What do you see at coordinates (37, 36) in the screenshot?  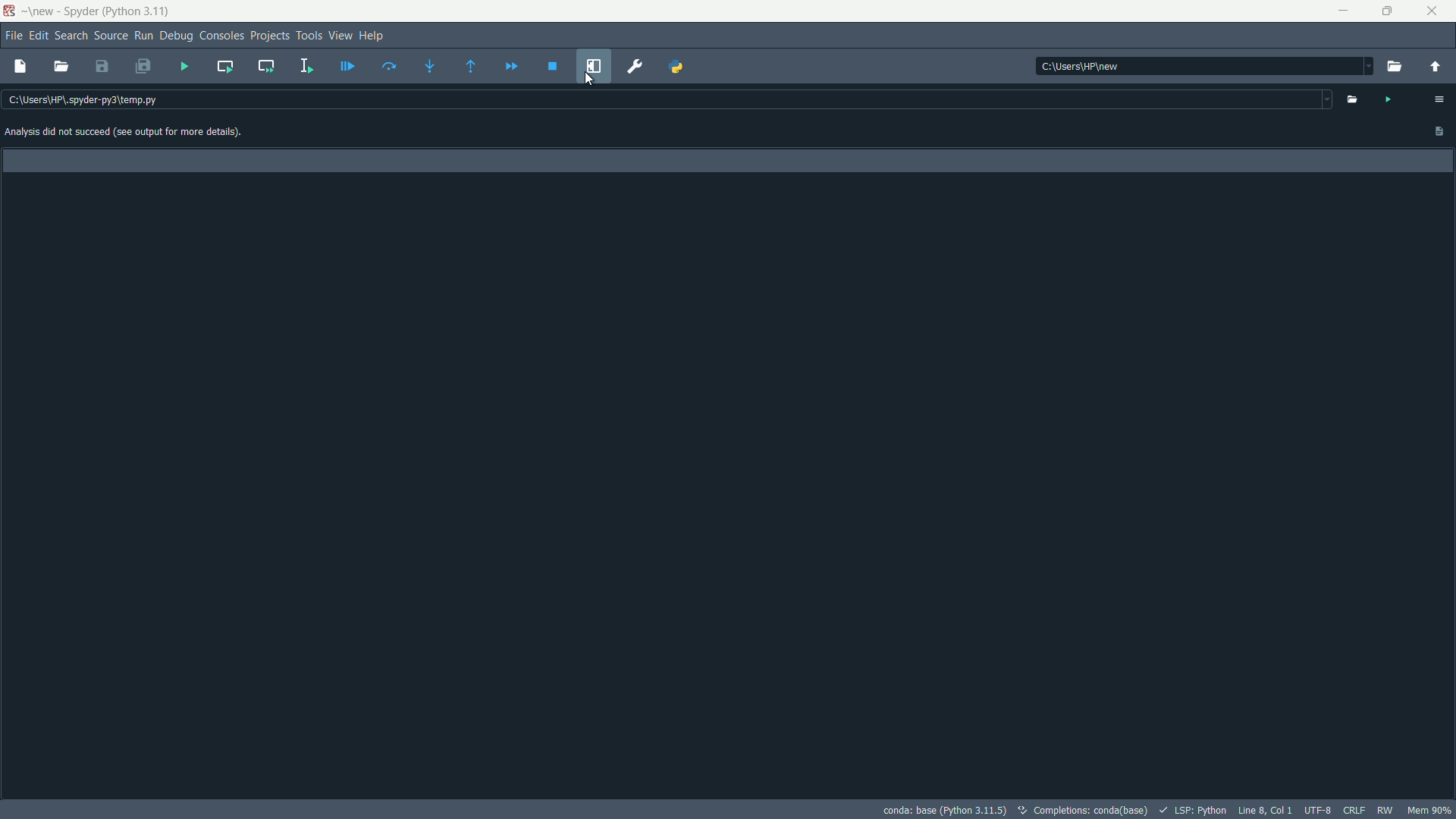 I see `edit menu` at bounding box center [37, 36].